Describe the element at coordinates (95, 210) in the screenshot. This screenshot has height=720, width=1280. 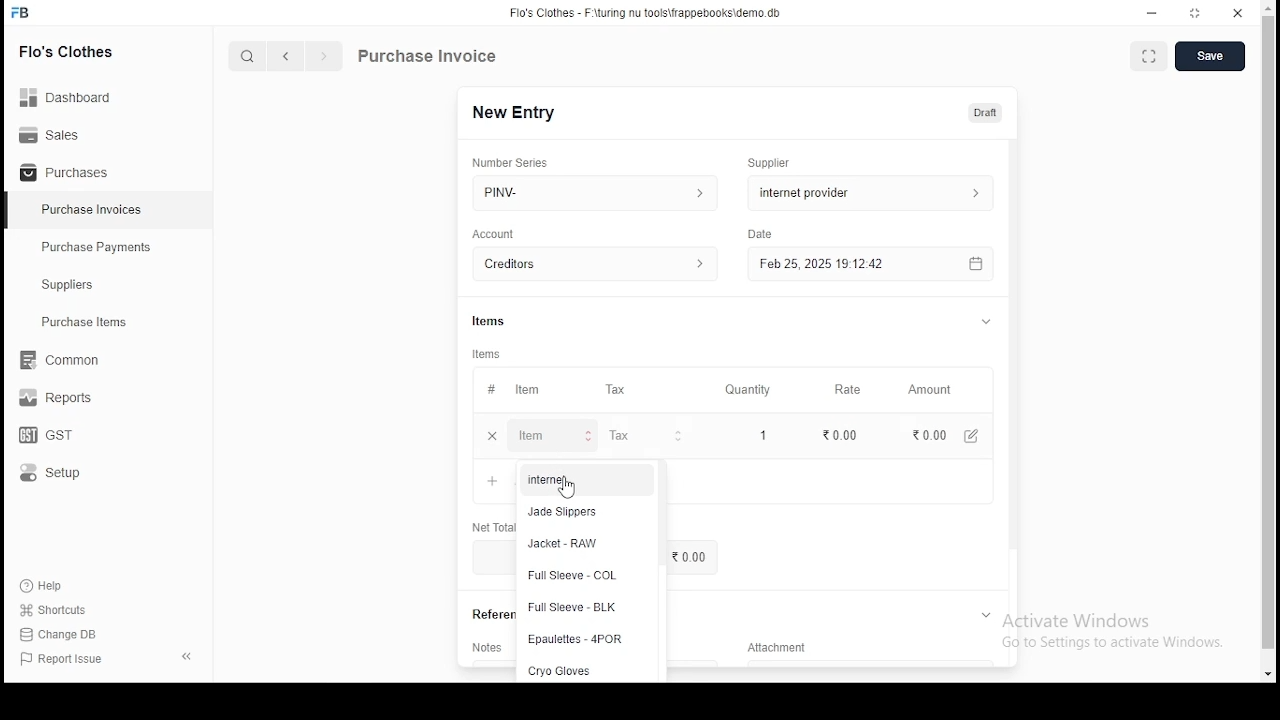
I see `Purchase Invoices` at that location.